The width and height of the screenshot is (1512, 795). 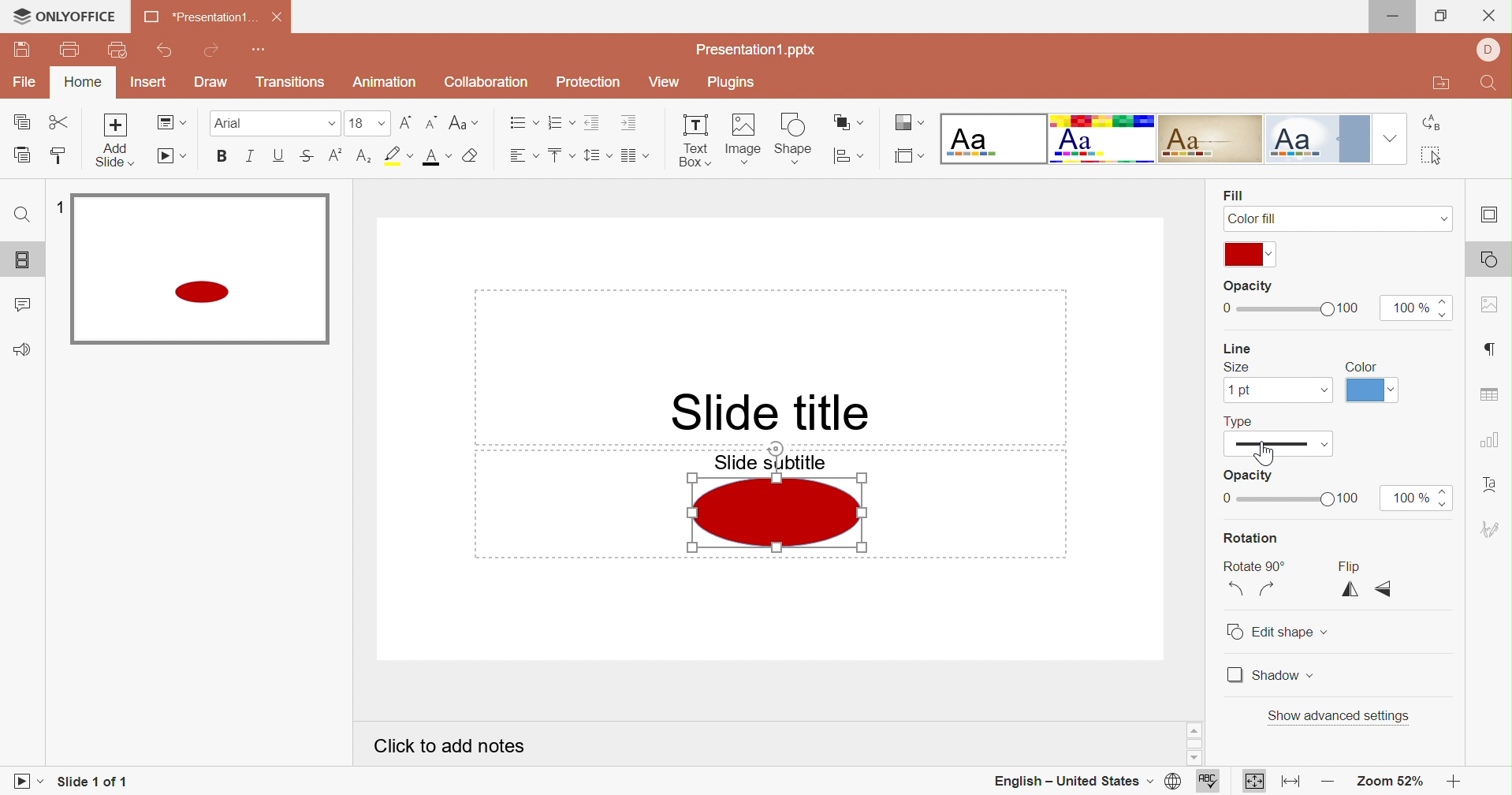 I want to click on ONLYOFFICE, so click(x=61, y=15).